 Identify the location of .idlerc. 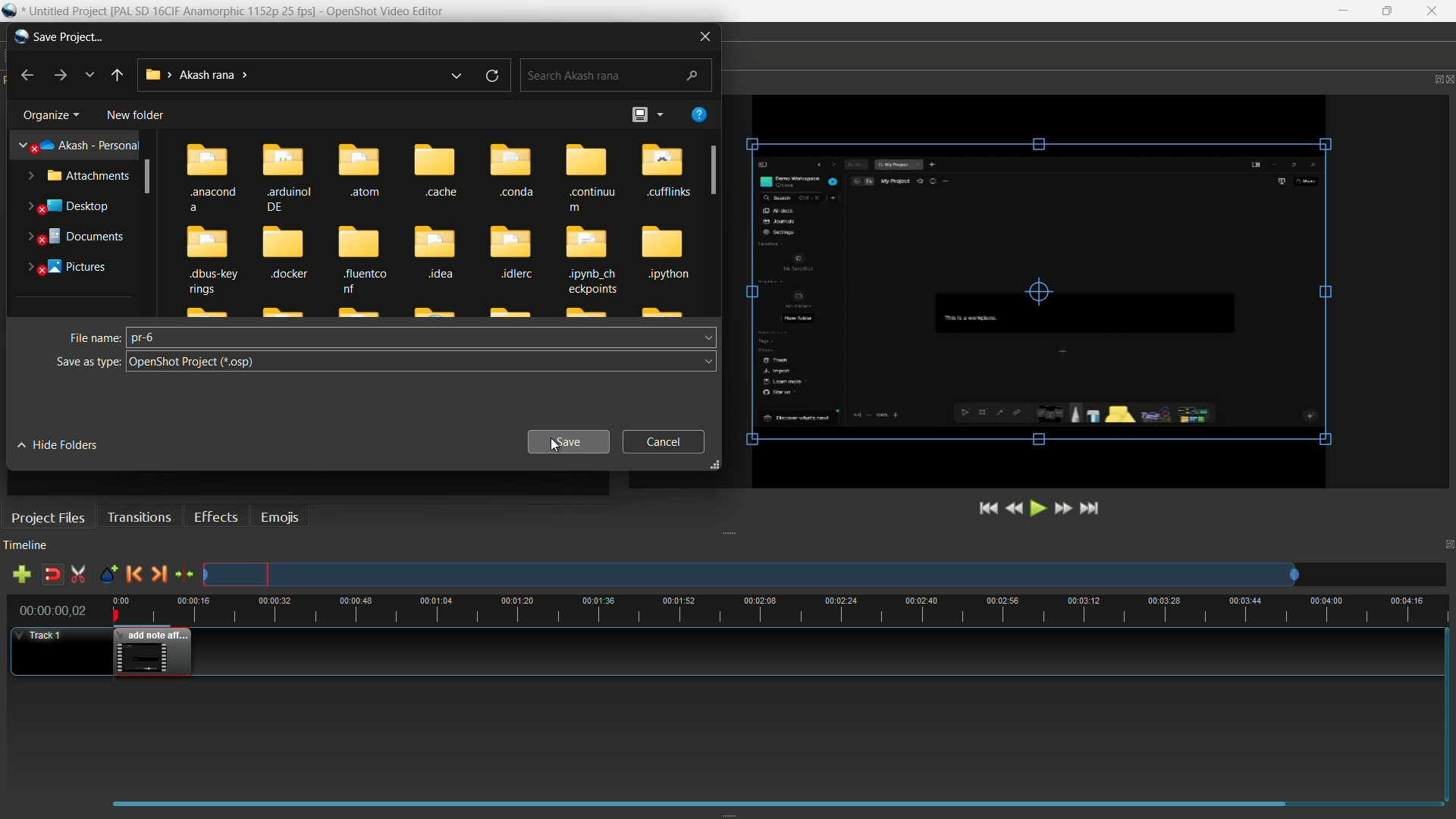
(512, 255).